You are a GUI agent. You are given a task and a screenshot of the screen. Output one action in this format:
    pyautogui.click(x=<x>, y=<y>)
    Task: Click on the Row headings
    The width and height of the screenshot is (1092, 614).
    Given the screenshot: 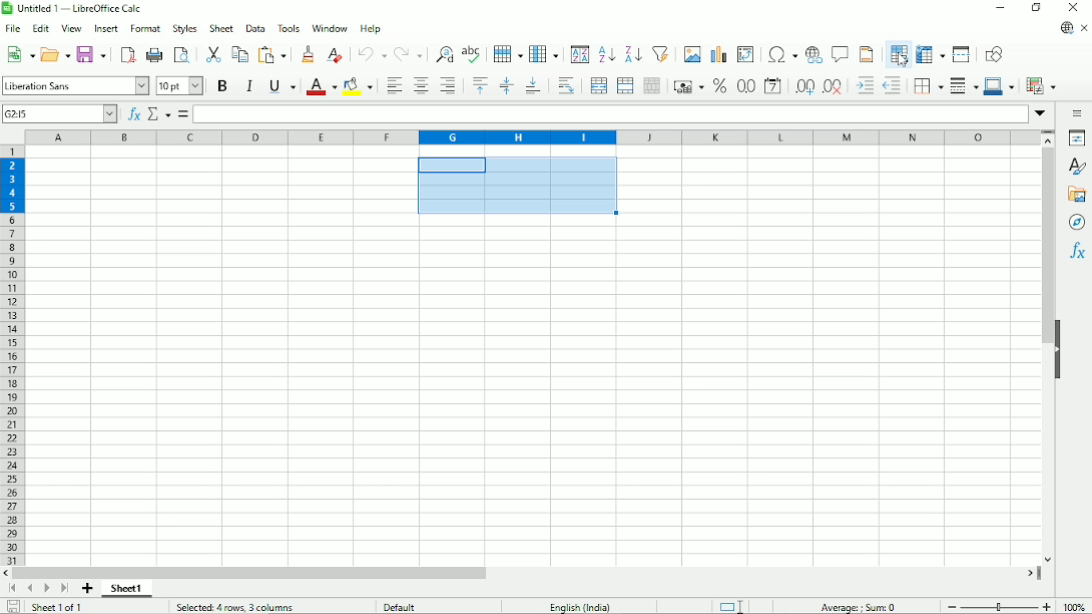 What is the action you would take?
    pyautogui.click(x=14, y=356)
    